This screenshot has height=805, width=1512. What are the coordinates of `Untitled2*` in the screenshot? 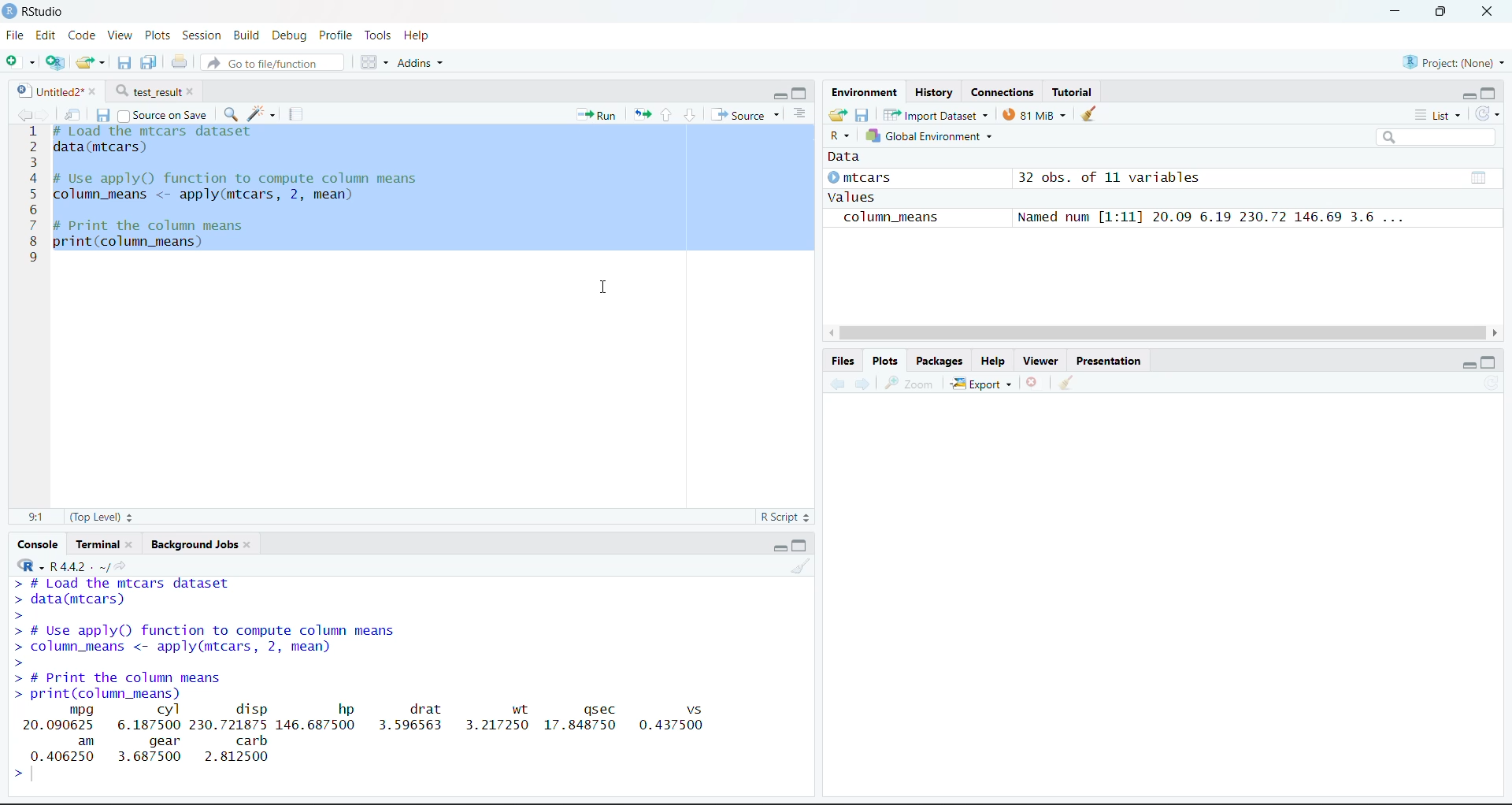 It's located at (61, 88).